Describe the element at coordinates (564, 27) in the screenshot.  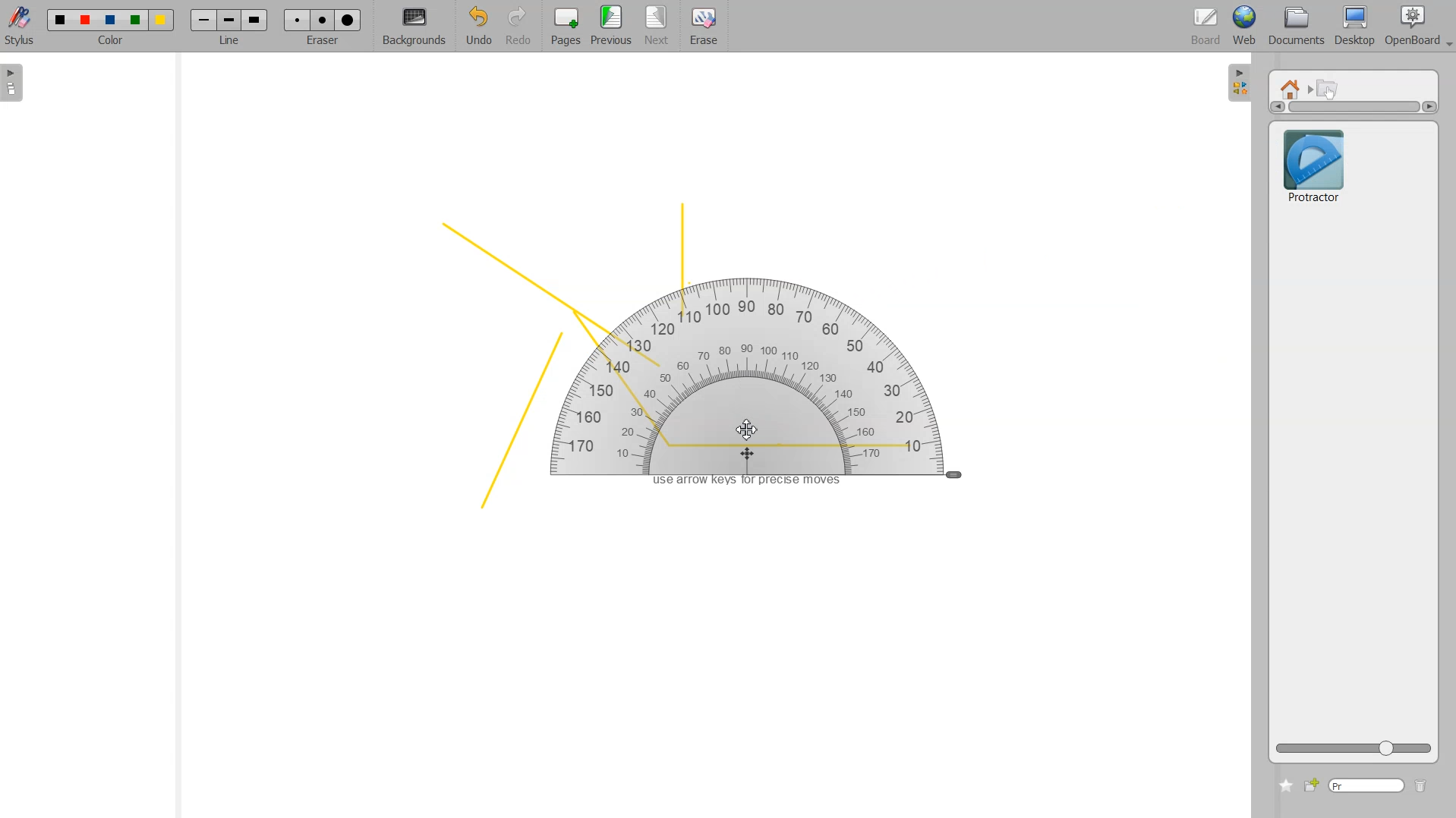
I see `Pages` at that location.